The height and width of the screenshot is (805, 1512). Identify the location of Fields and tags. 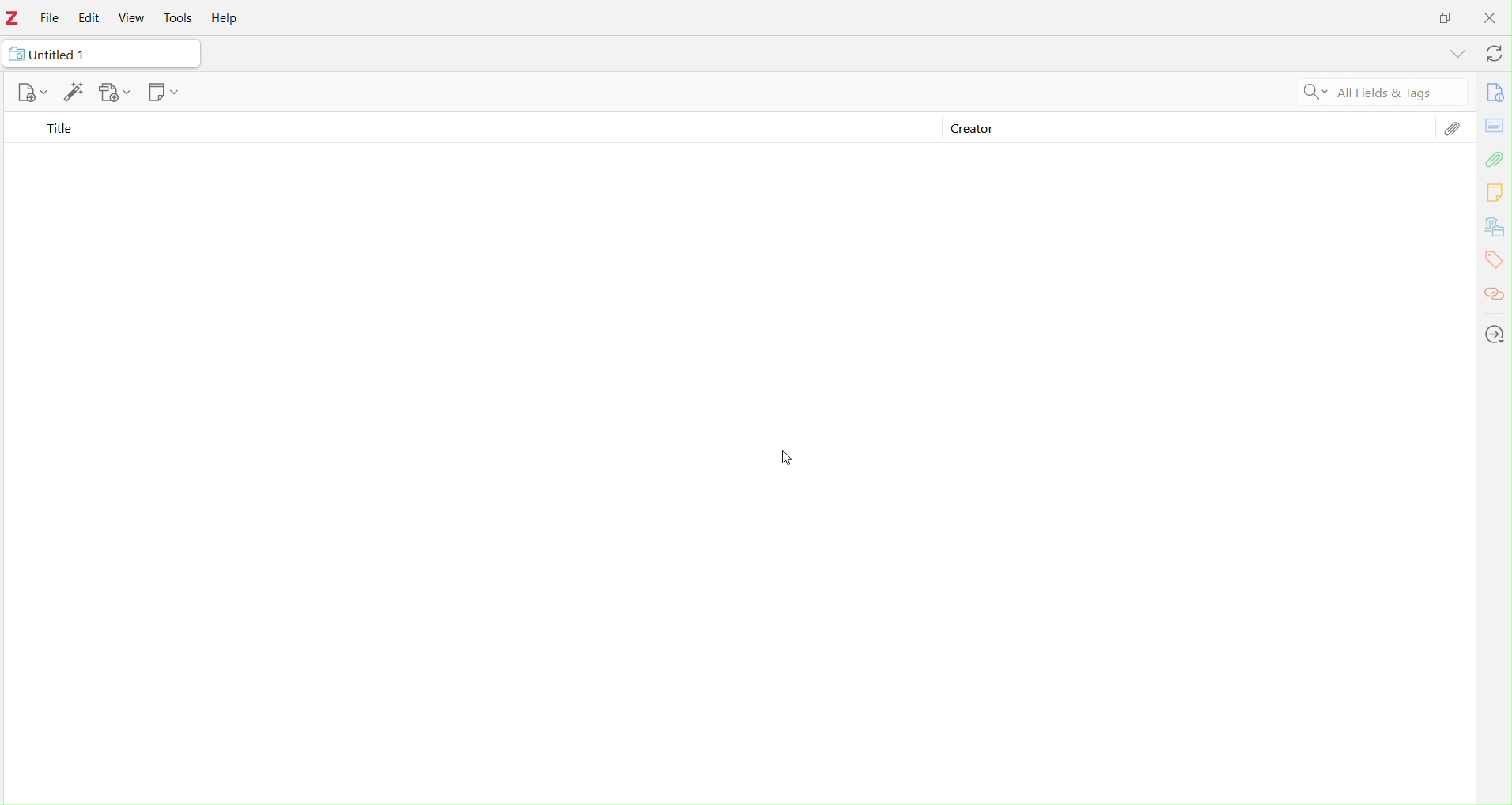
(1397, 94).